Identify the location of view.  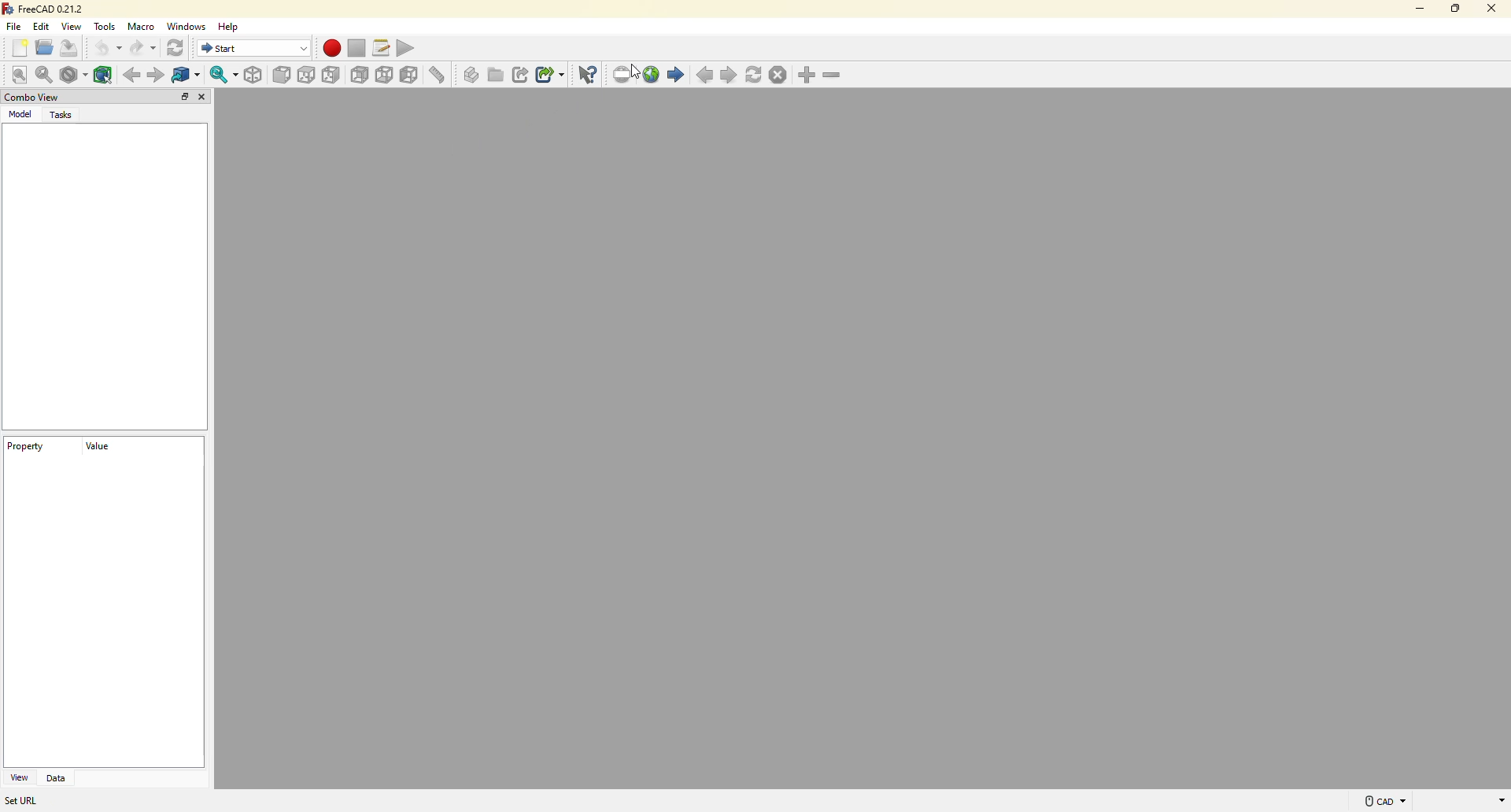
(73, 26).